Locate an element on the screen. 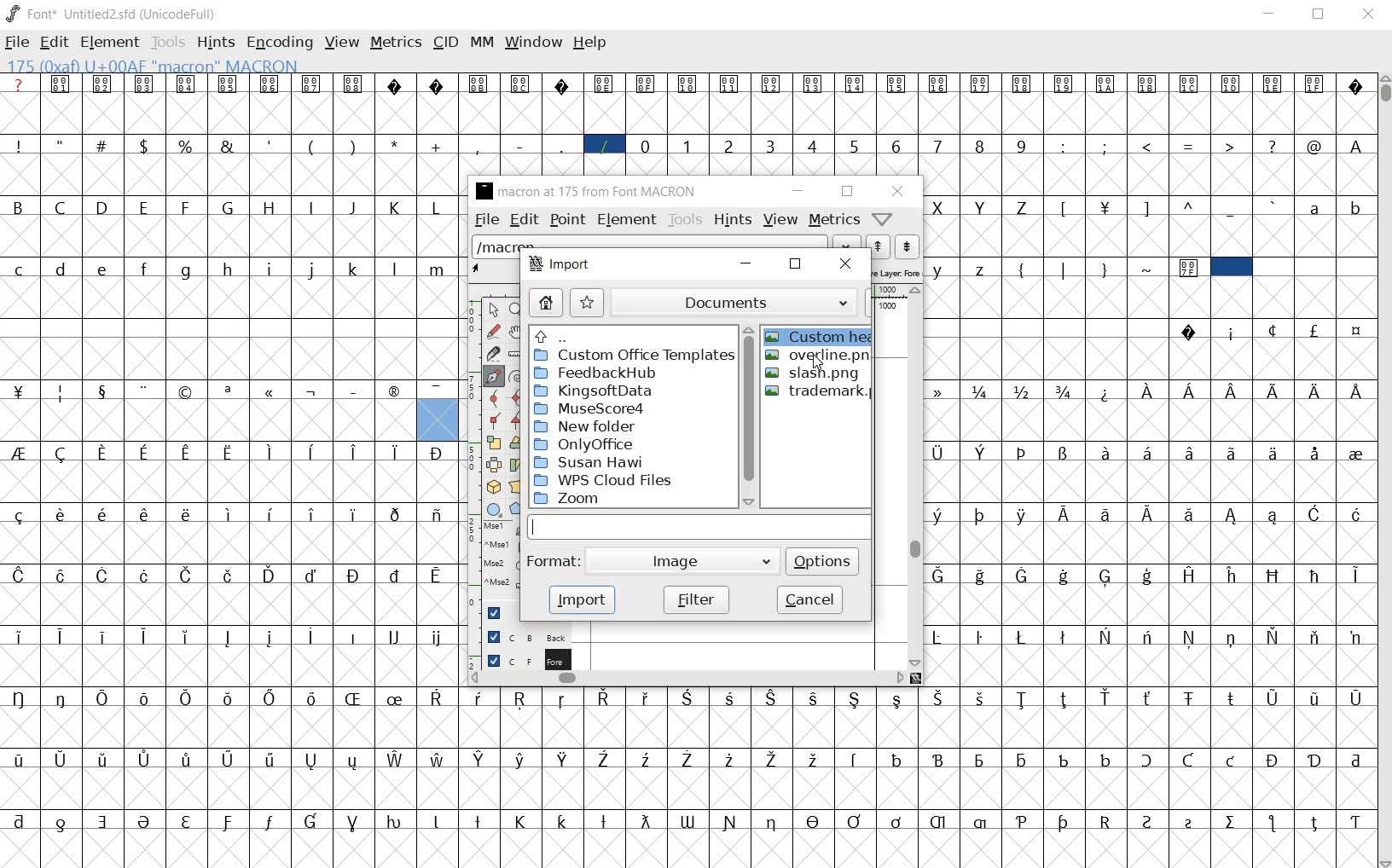 Image resolution: width=1392 pixels, height=868 pixels. empty spaces is located at coordinates (1047, 328).